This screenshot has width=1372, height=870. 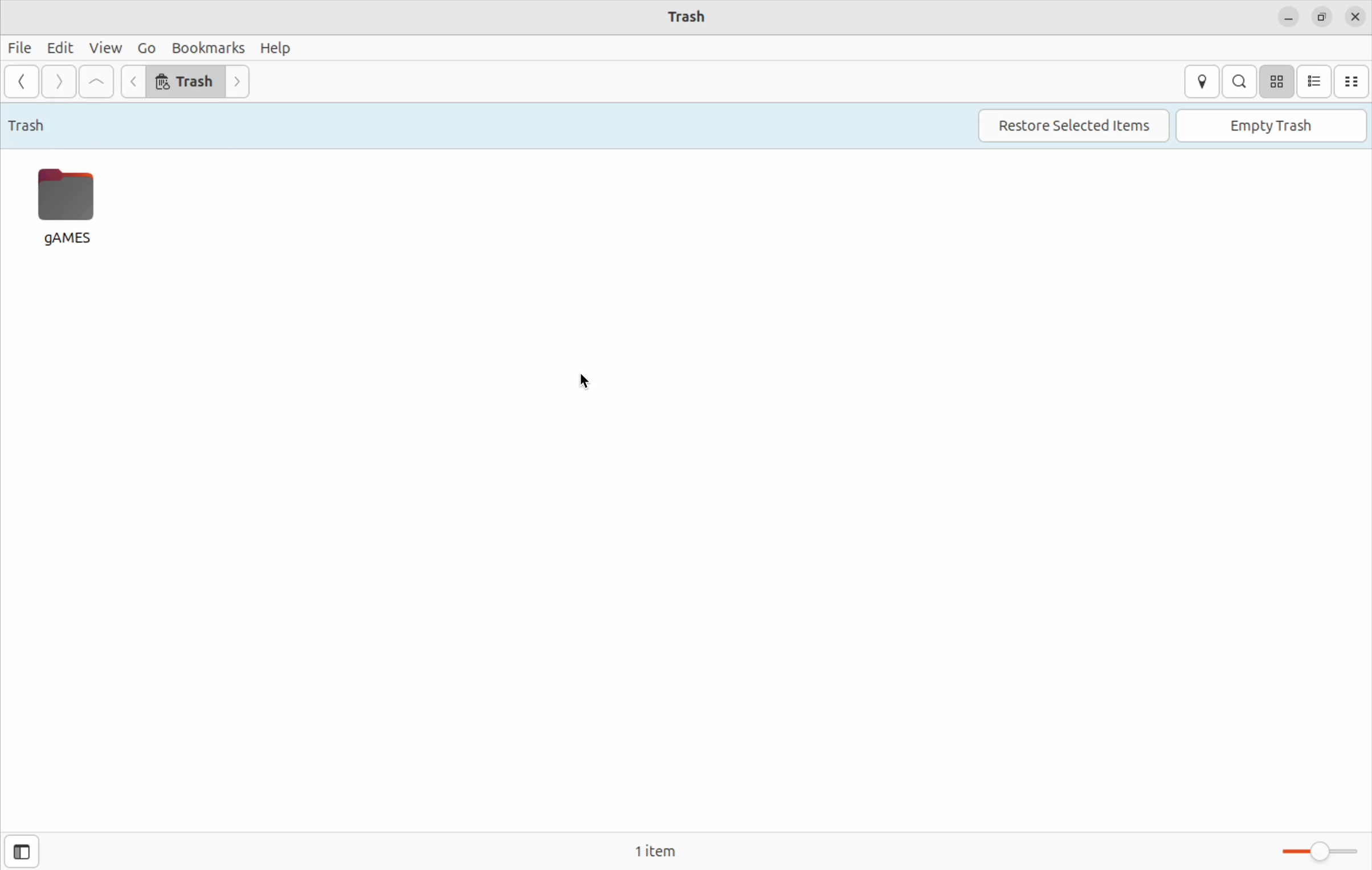 I want to click on Toggle zoom, so click(x=1323, y=851).